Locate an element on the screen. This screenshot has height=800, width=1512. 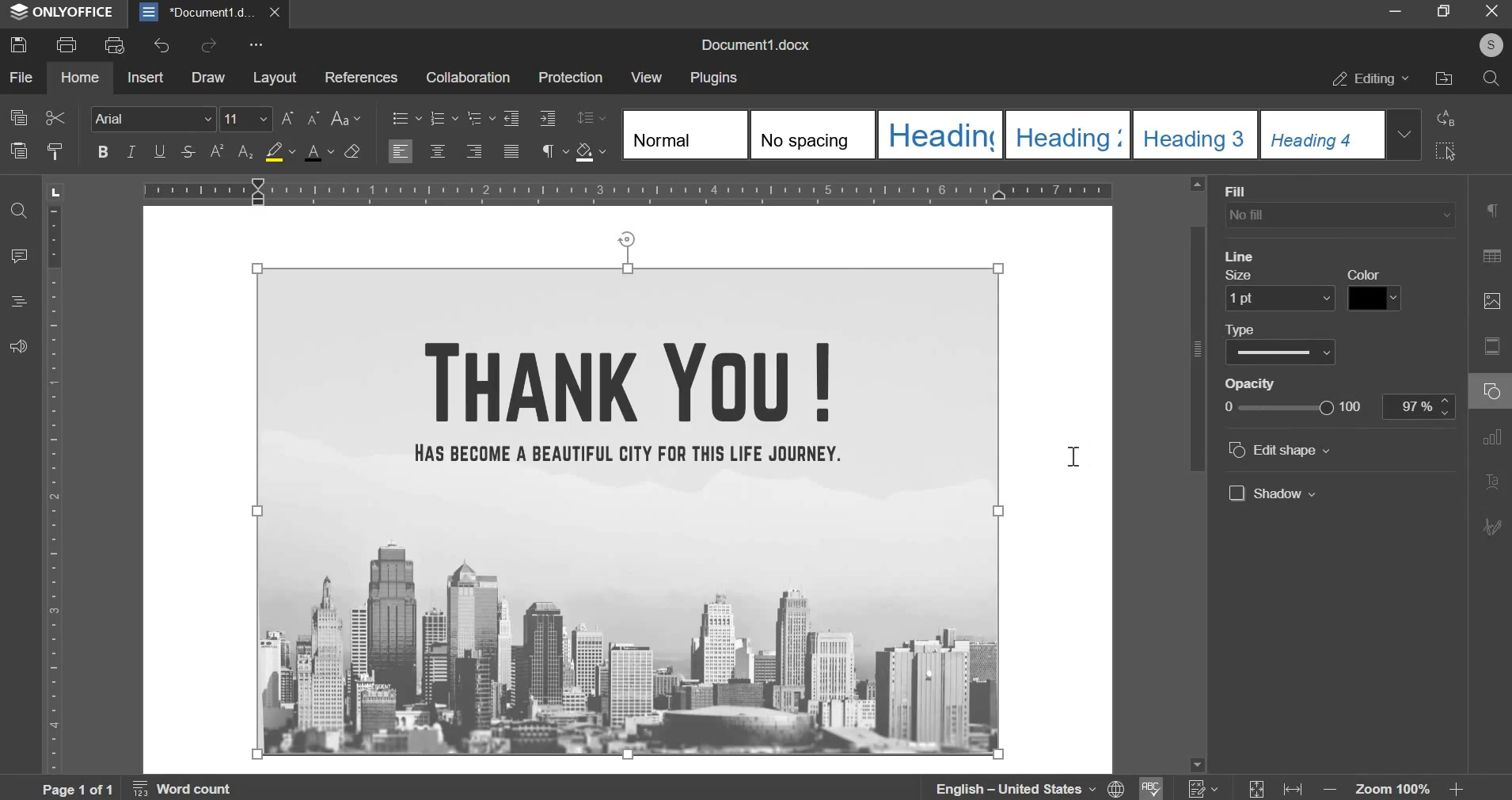
increase indent is located at coordinates (546, 118).